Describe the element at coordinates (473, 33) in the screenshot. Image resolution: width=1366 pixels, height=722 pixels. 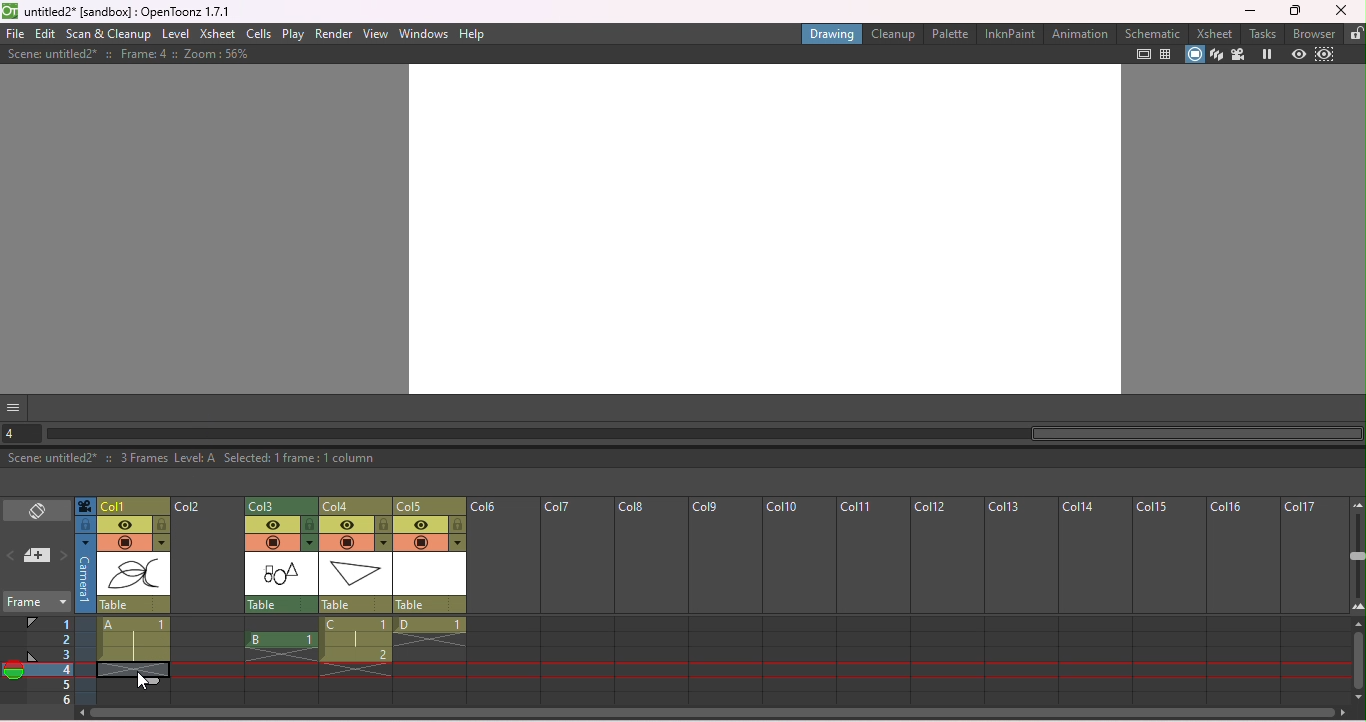
I see `Help` at that location.